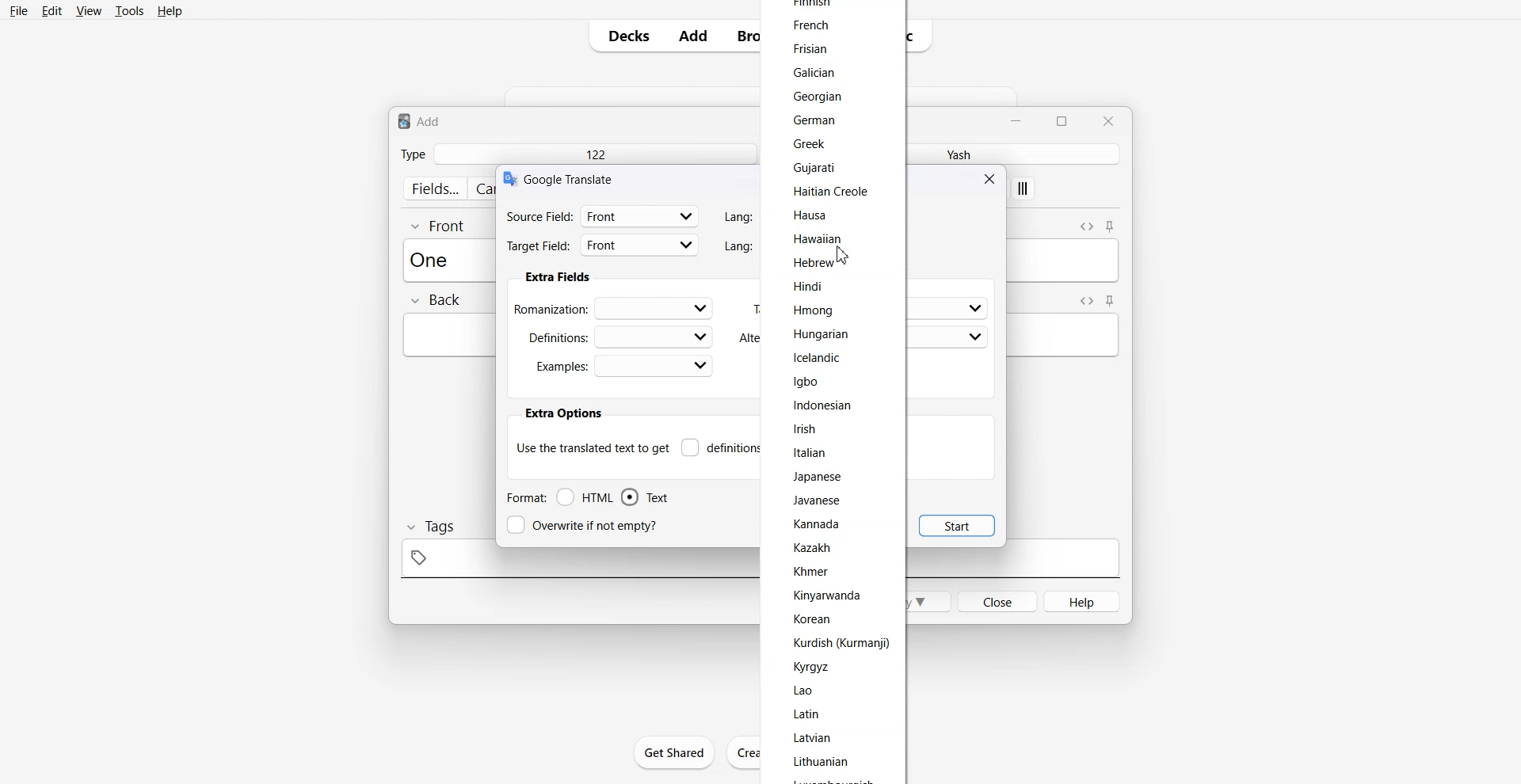 The width and height of the screenshot is (1521, 784). What do you see at coordinates (810, 48) in the screenshot?
I see `Frisian` at bounding box center [810, 48].